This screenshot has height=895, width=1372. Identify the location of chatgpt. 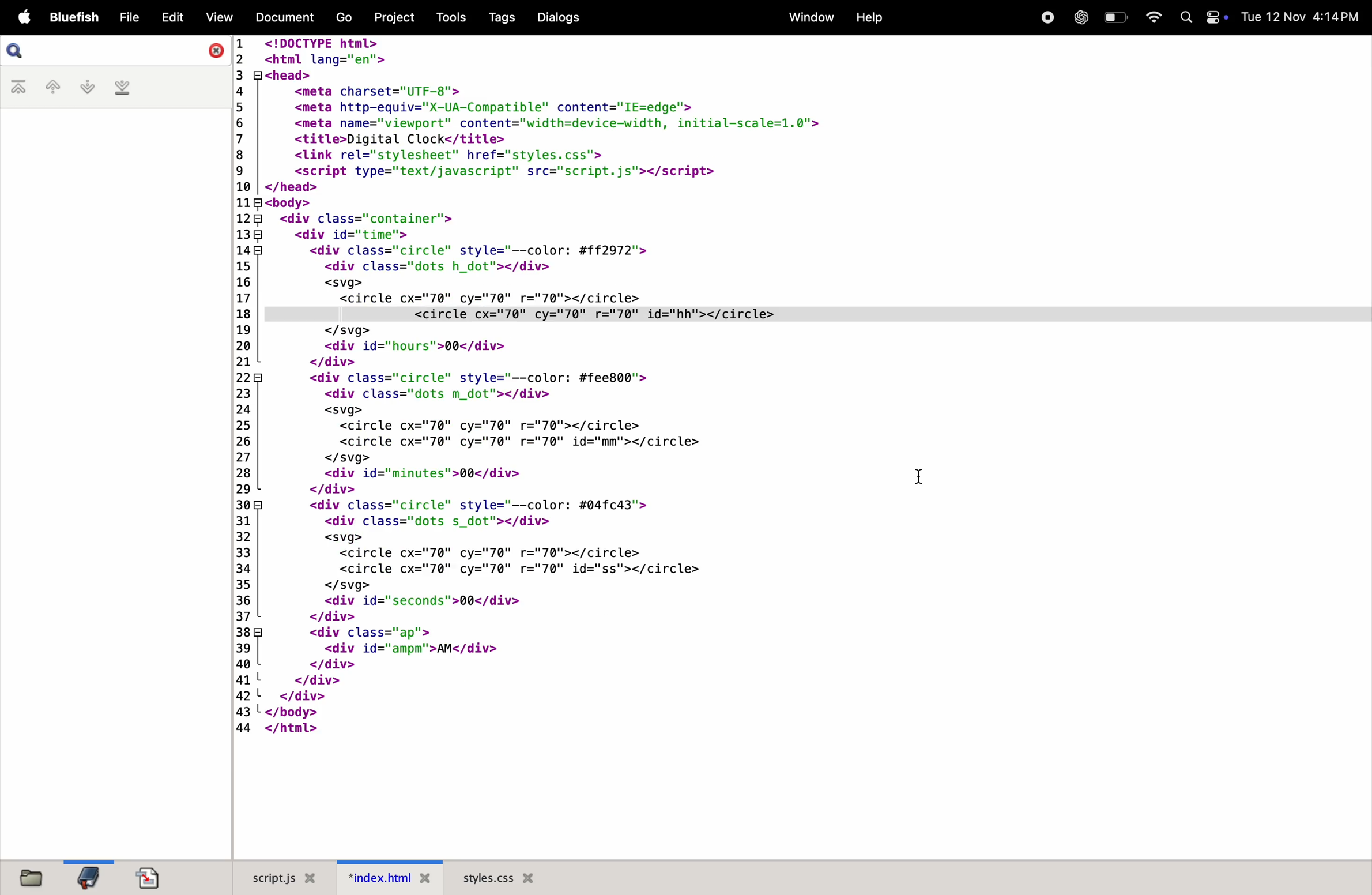
(1081, 17).